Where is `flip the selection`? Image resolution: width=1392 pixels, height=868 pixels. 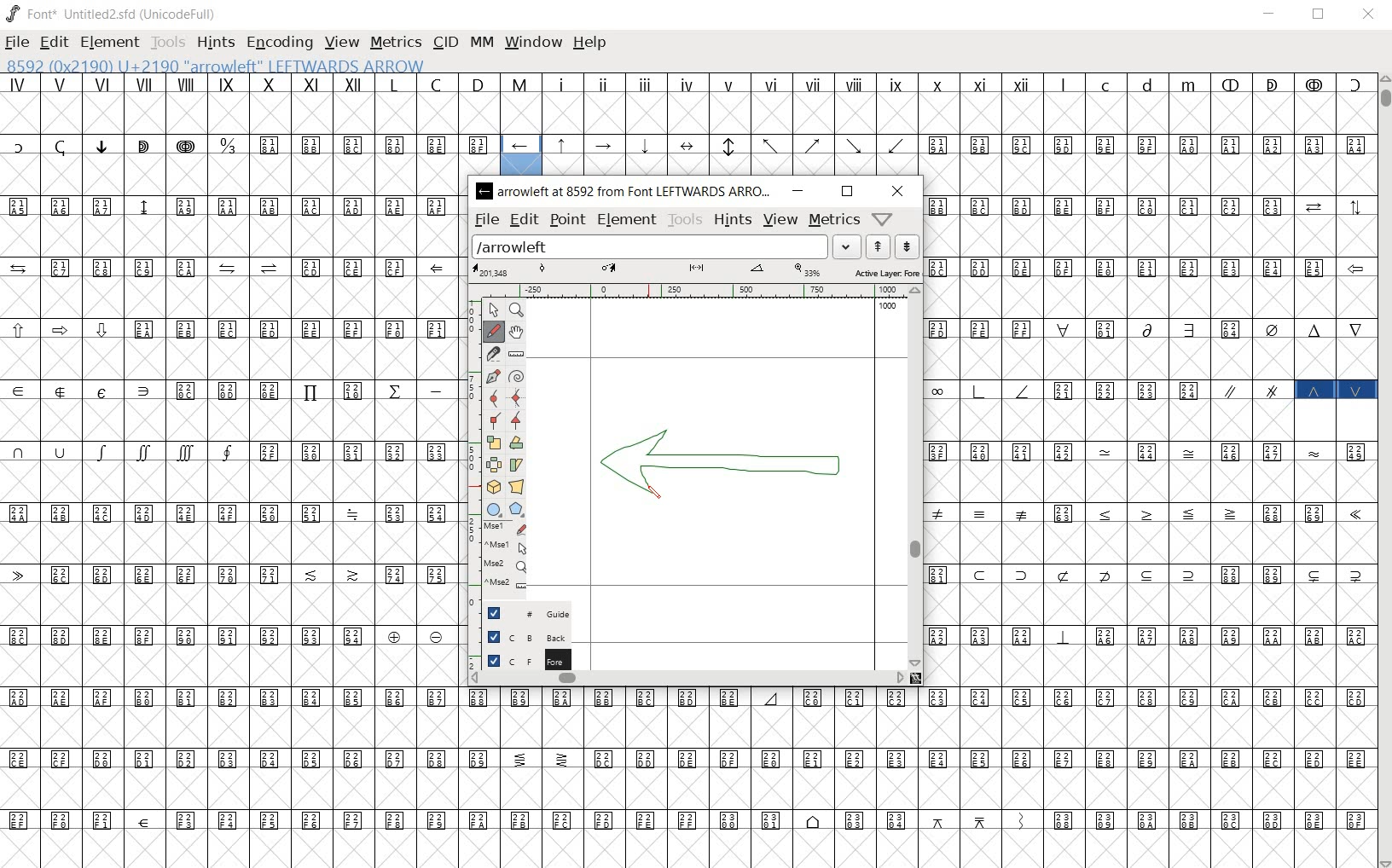 flip the selection is located at coordinates (493, 465).